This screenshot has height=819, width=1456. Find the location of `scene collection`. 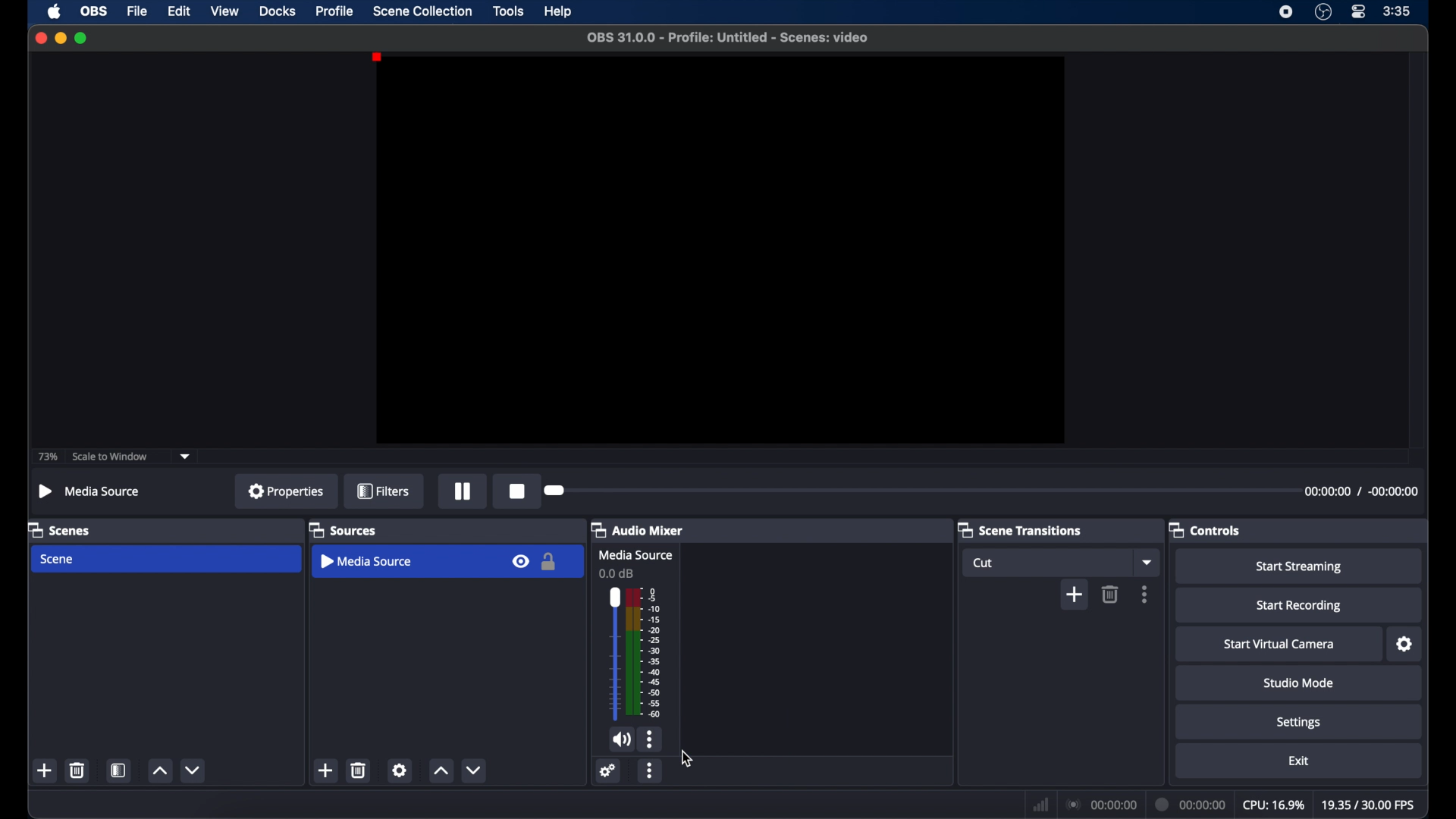

scene collection is located at coordinates (425, 11).